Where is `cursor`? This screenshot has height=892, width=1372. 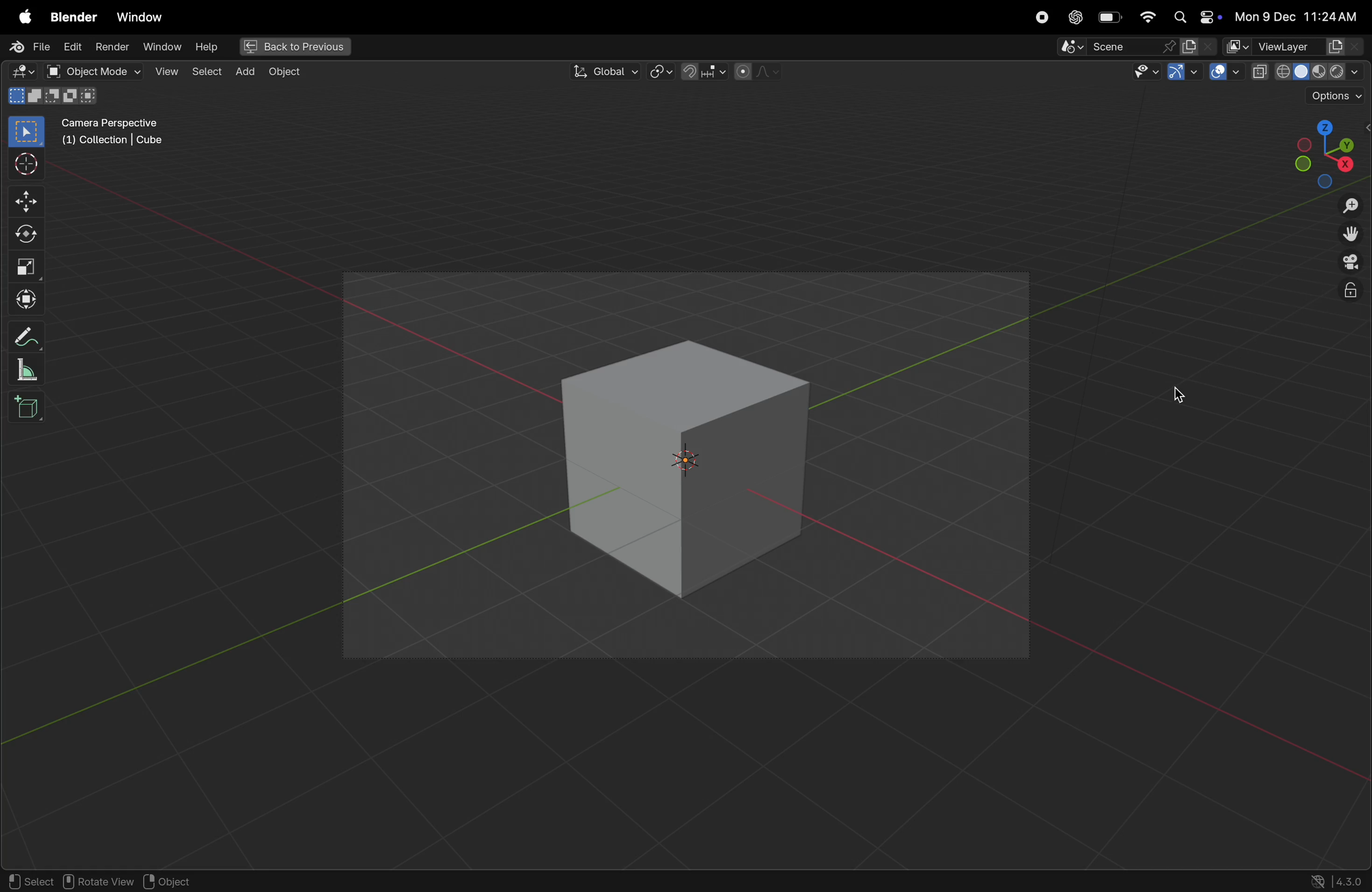
cursor is located at coordinates (1350, 271).